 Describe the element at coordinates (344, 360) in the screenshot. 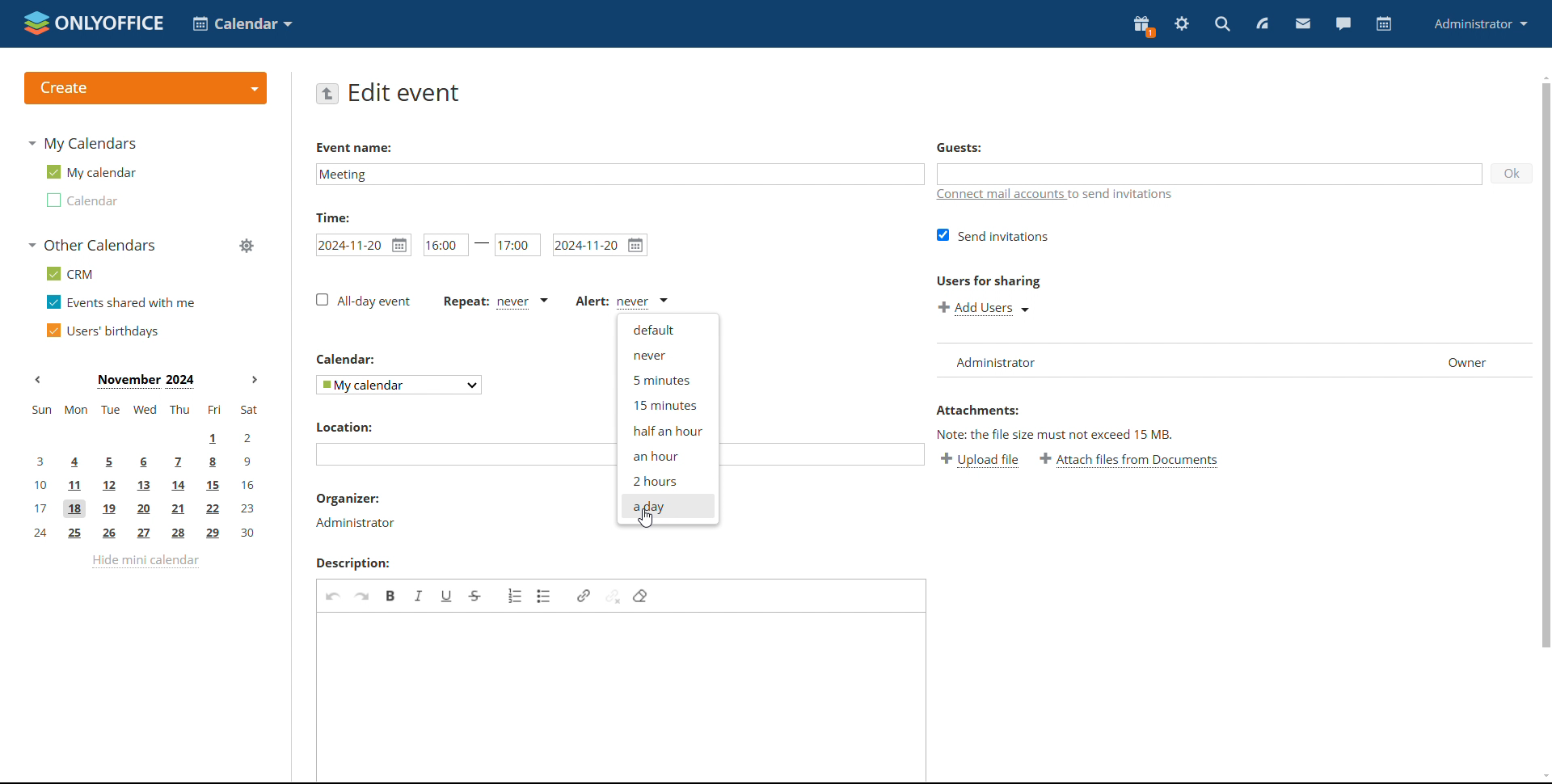

I see `Calendar` at that location.